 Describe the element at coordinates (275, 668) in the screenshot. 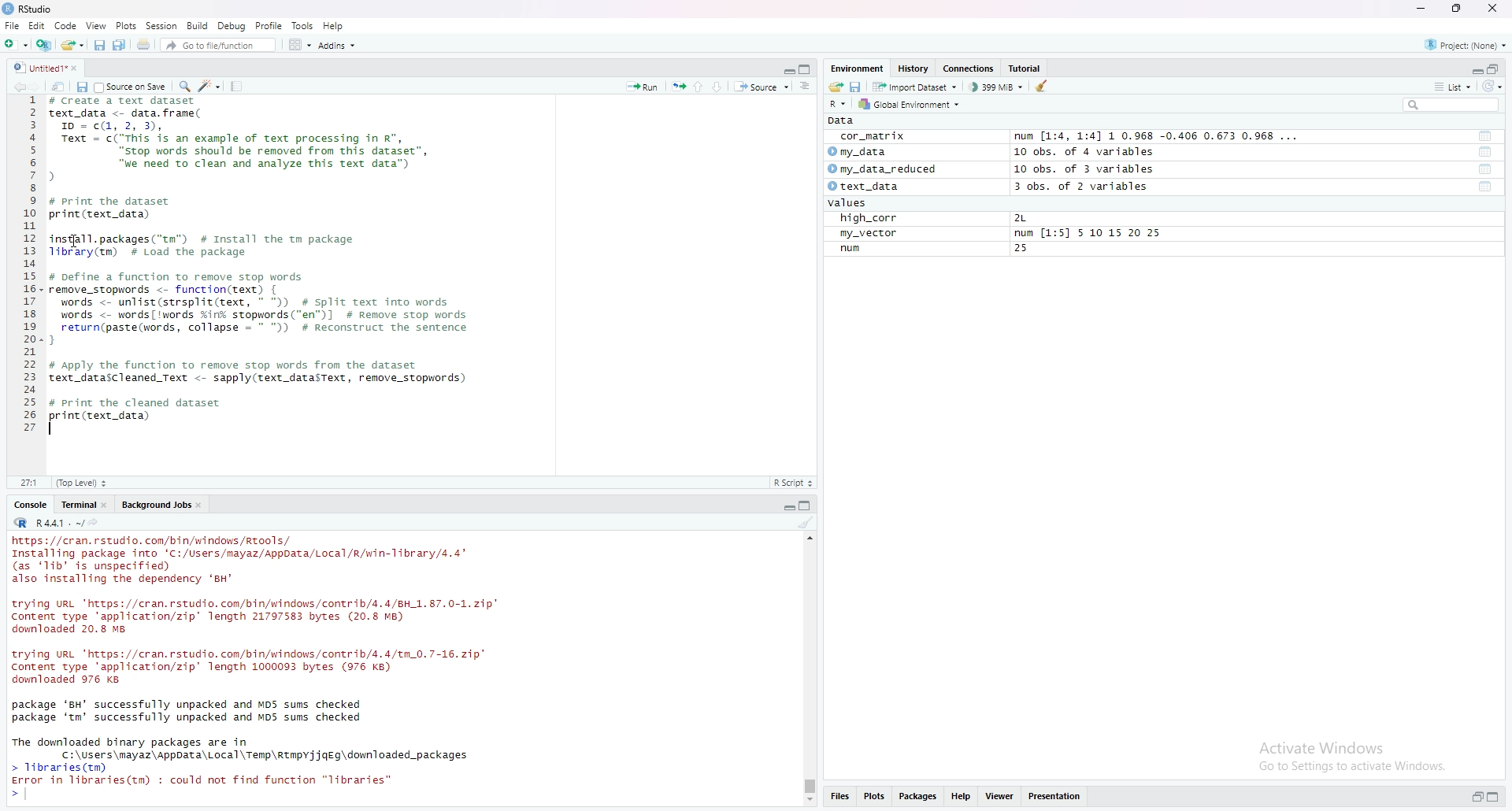

I see `console log` at that location.